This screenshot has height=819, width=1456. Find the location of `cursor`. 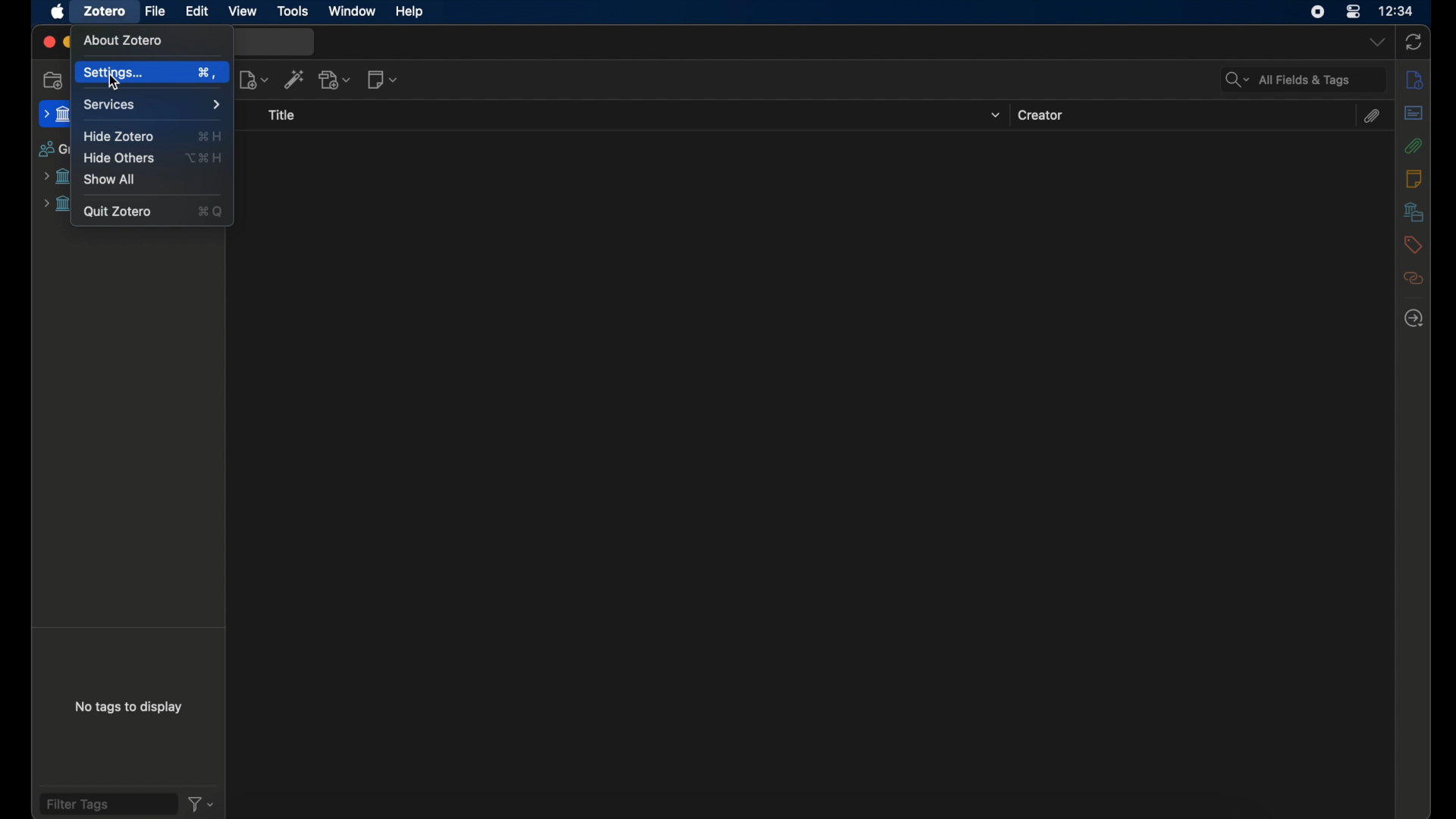

cursor is located at coordinates (118, 85).